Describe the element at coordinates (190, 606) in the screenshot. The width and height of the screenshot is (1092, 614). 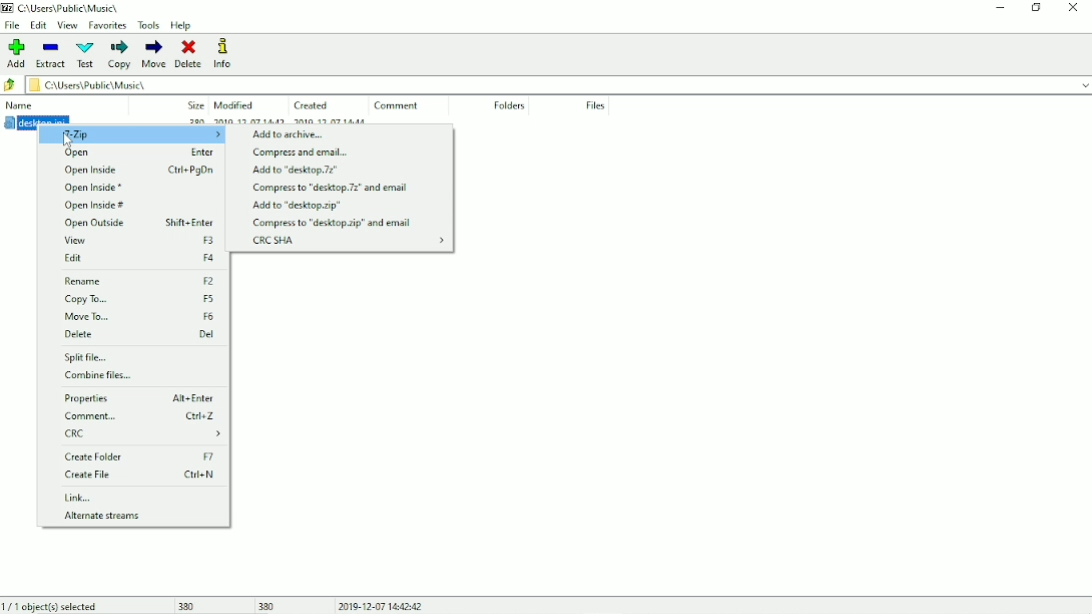
I see `380` at that location.